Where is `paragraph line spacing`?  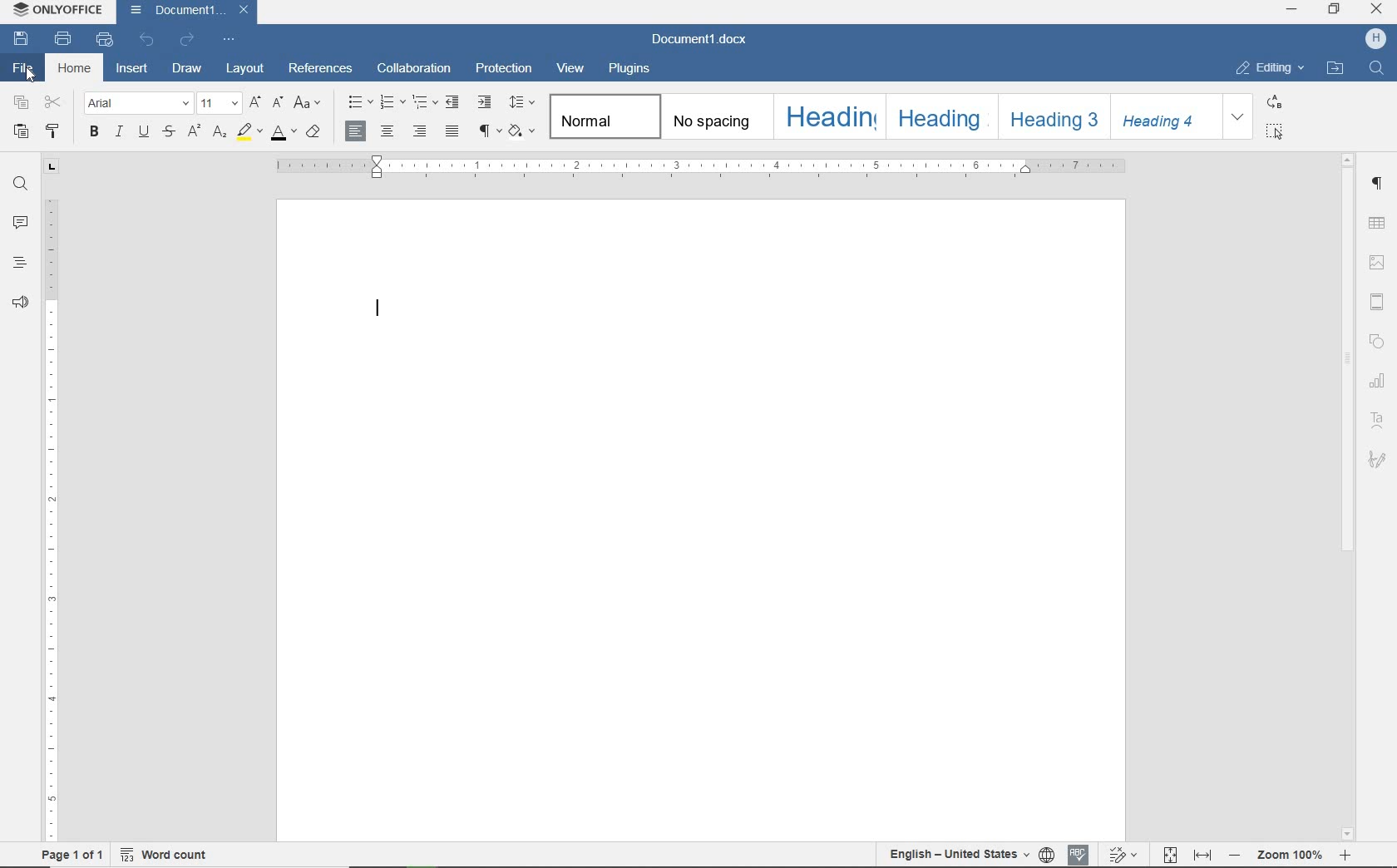 paragraph line spacing is located at coordinates (521, 103).